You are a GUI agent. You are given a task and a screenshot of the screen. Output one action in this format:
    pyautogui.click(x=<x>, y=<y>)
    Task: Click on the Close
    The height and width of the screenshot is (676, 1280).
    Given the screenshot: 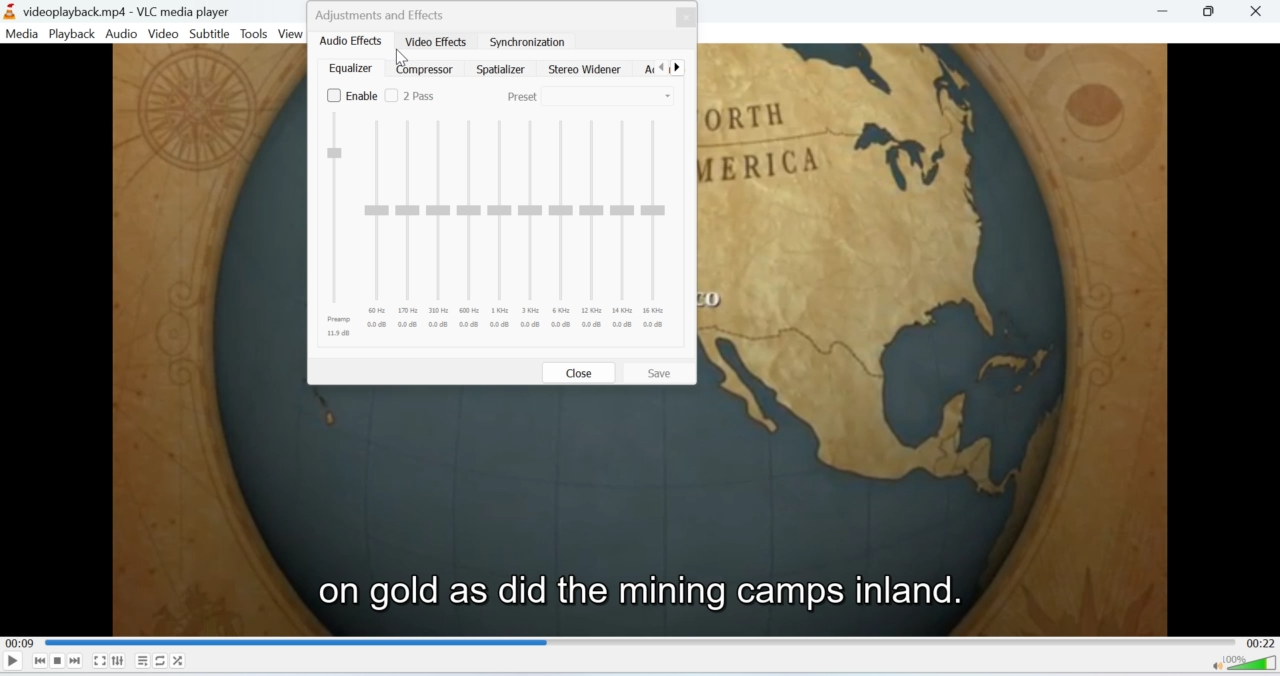 What is the action you would take?
    pyautogui.click(x=577, y=372)
    